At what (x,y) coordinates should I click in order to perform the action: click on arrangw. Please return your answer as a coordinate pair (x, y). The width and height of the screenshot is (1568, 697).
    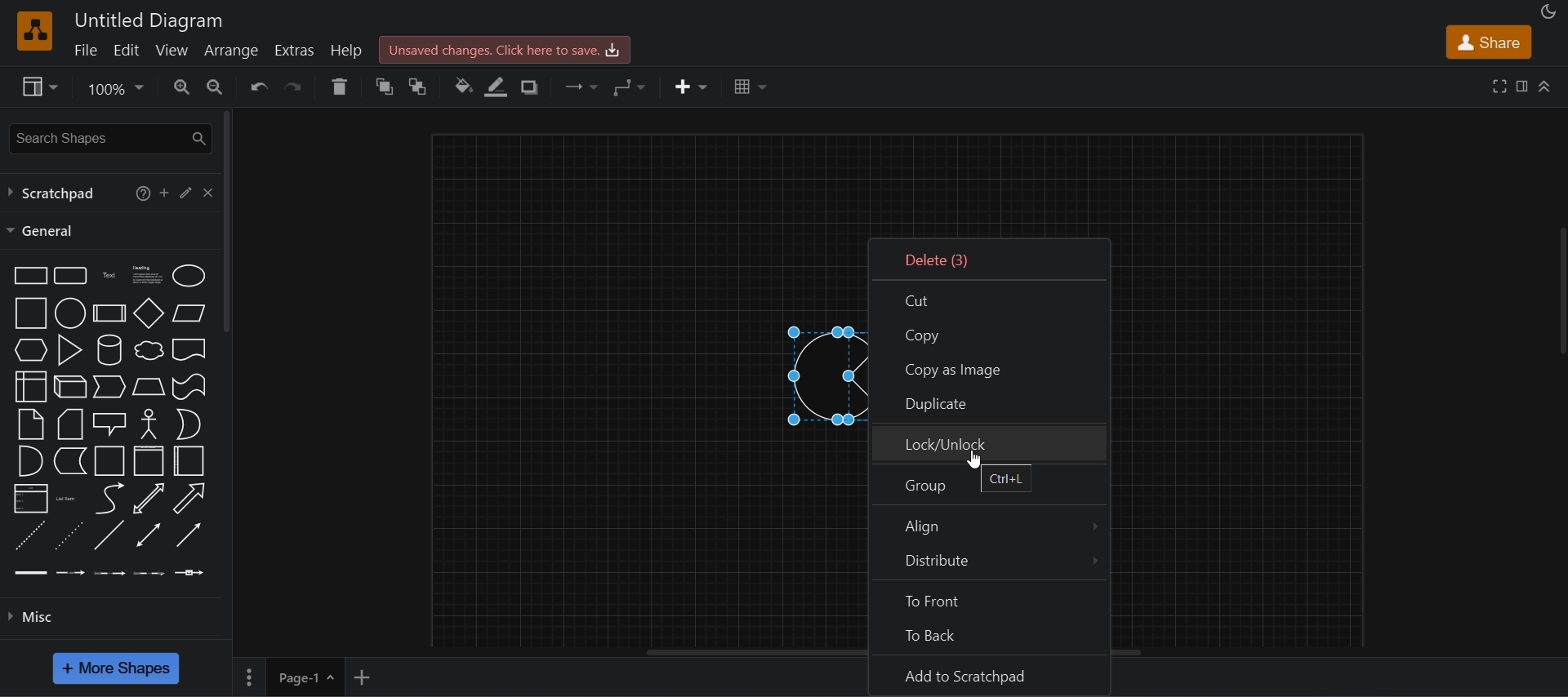
    Looking at the image, I should click on (230, 49).